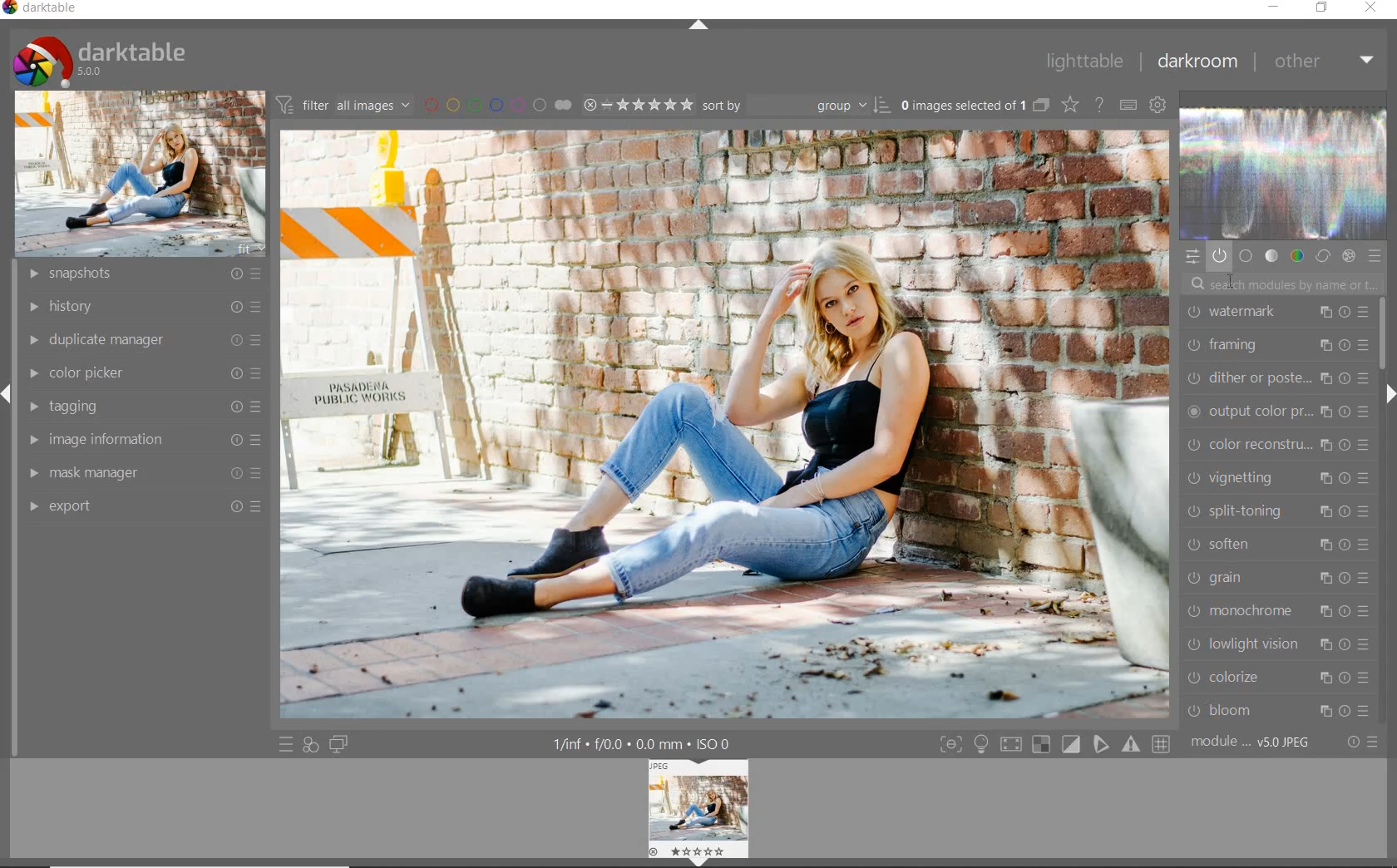 This screenshot has height=868, width=1397. Describe the element at coordinates (702, 28) in the screenshot. I see `expand/collapse` at that location.